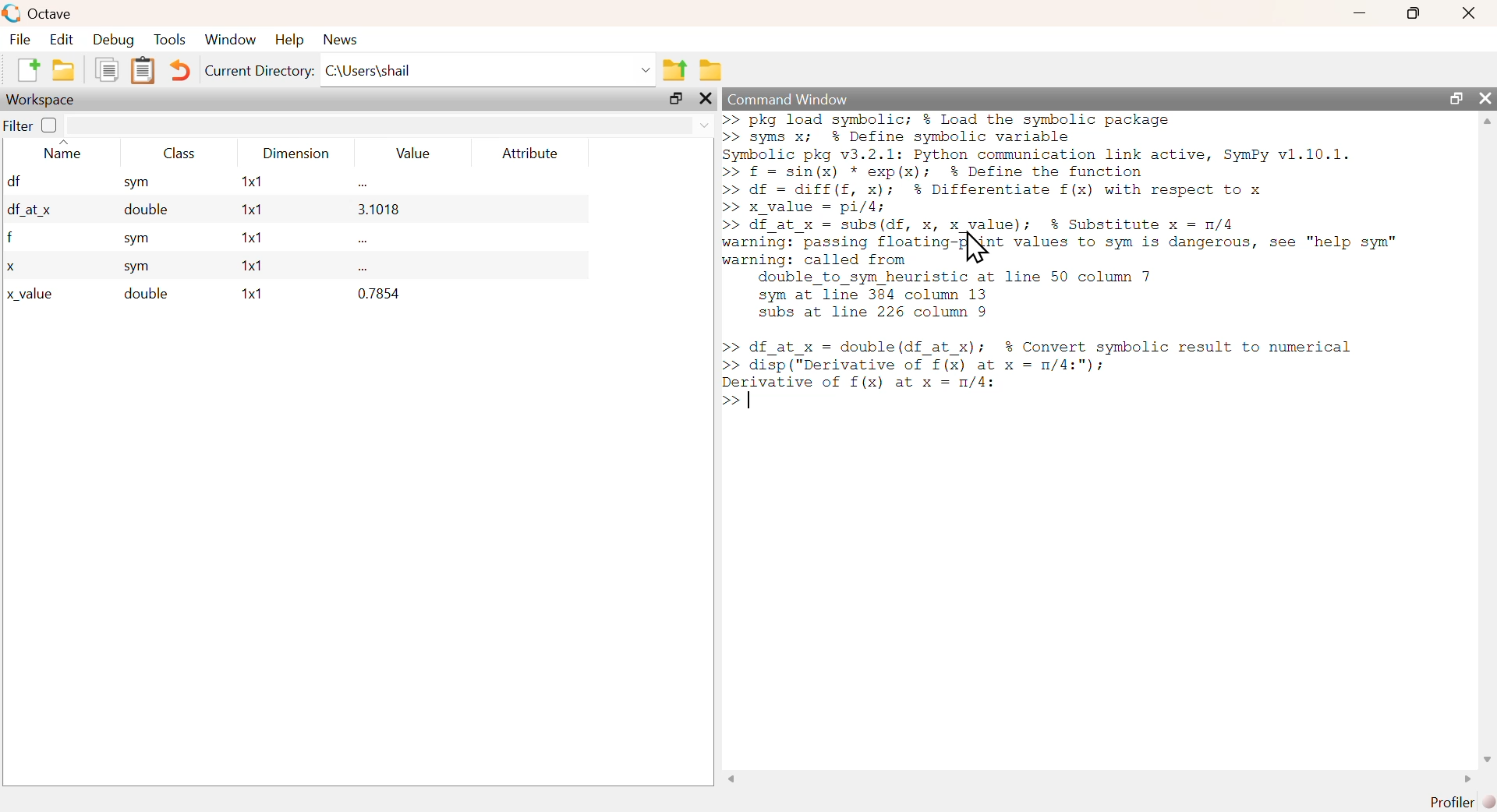 This screenshot has width=1497, height=812. I want to click on maximize, so click(1413, 14).